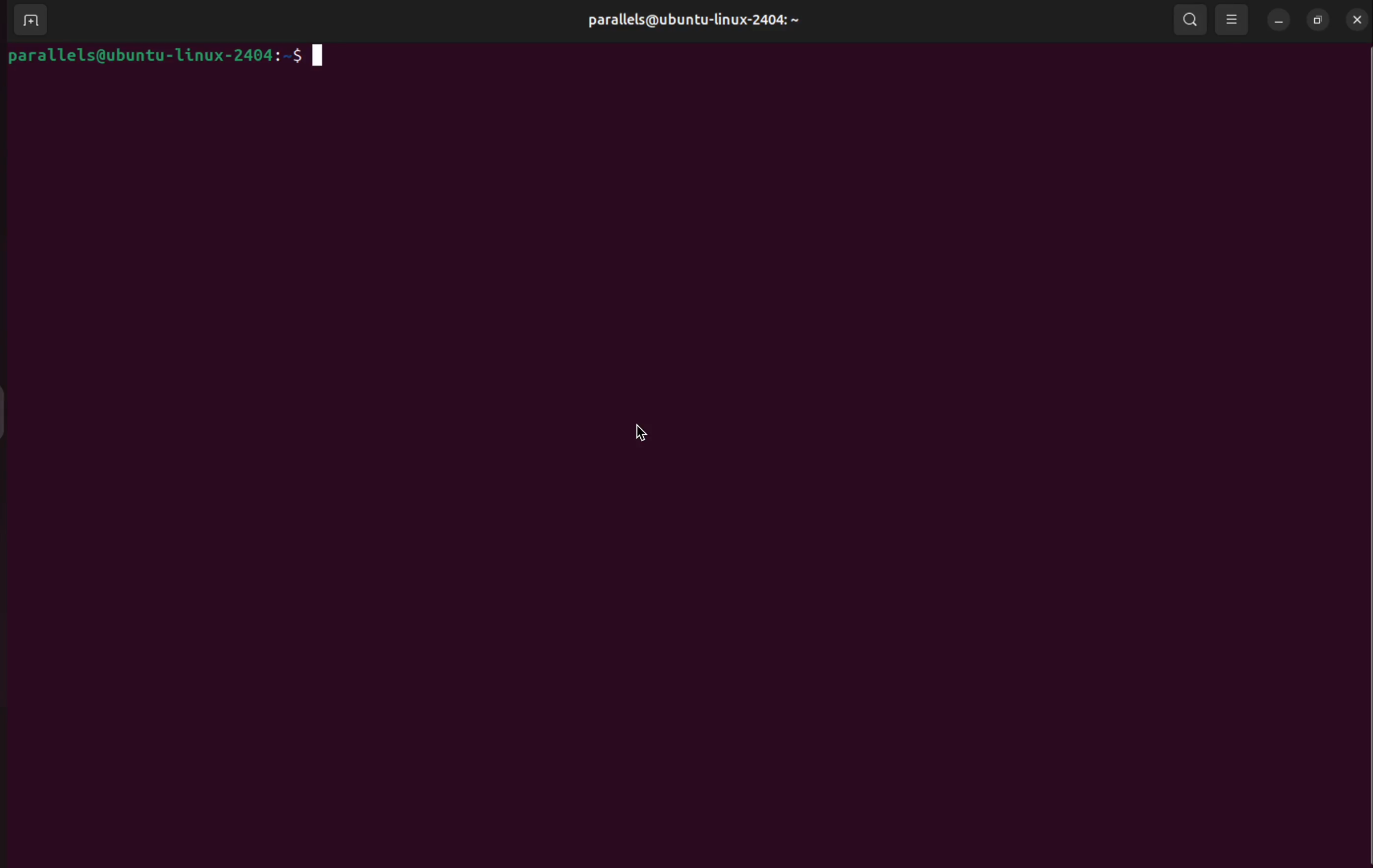 The width and height of the screenshot is (1373, 868). What do you see at coordinates (651, 434) in the screenshot?
I see `cursor` at bounding box center [651, 434].